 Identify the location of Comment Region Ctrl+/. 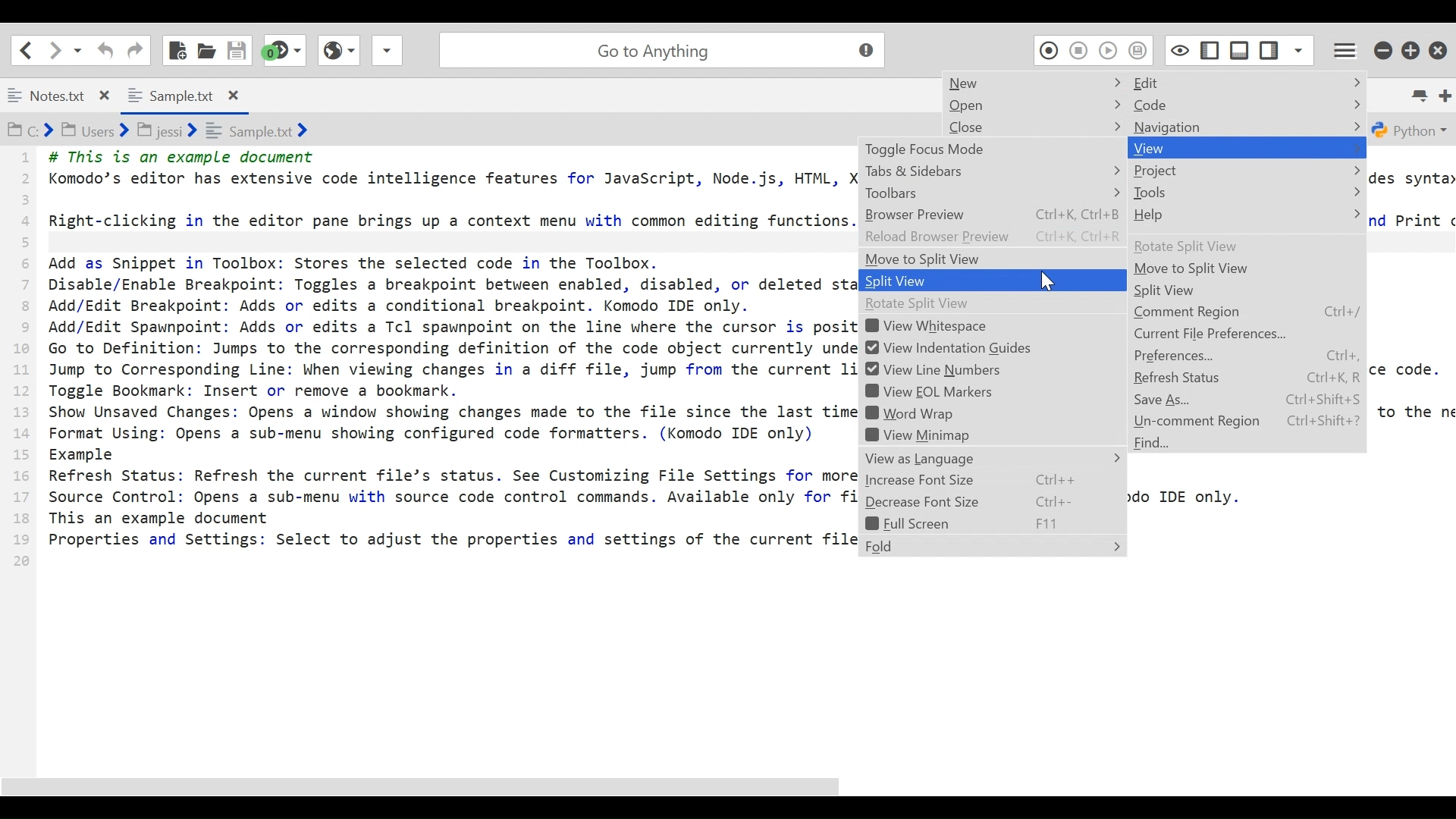
(1247, 312).